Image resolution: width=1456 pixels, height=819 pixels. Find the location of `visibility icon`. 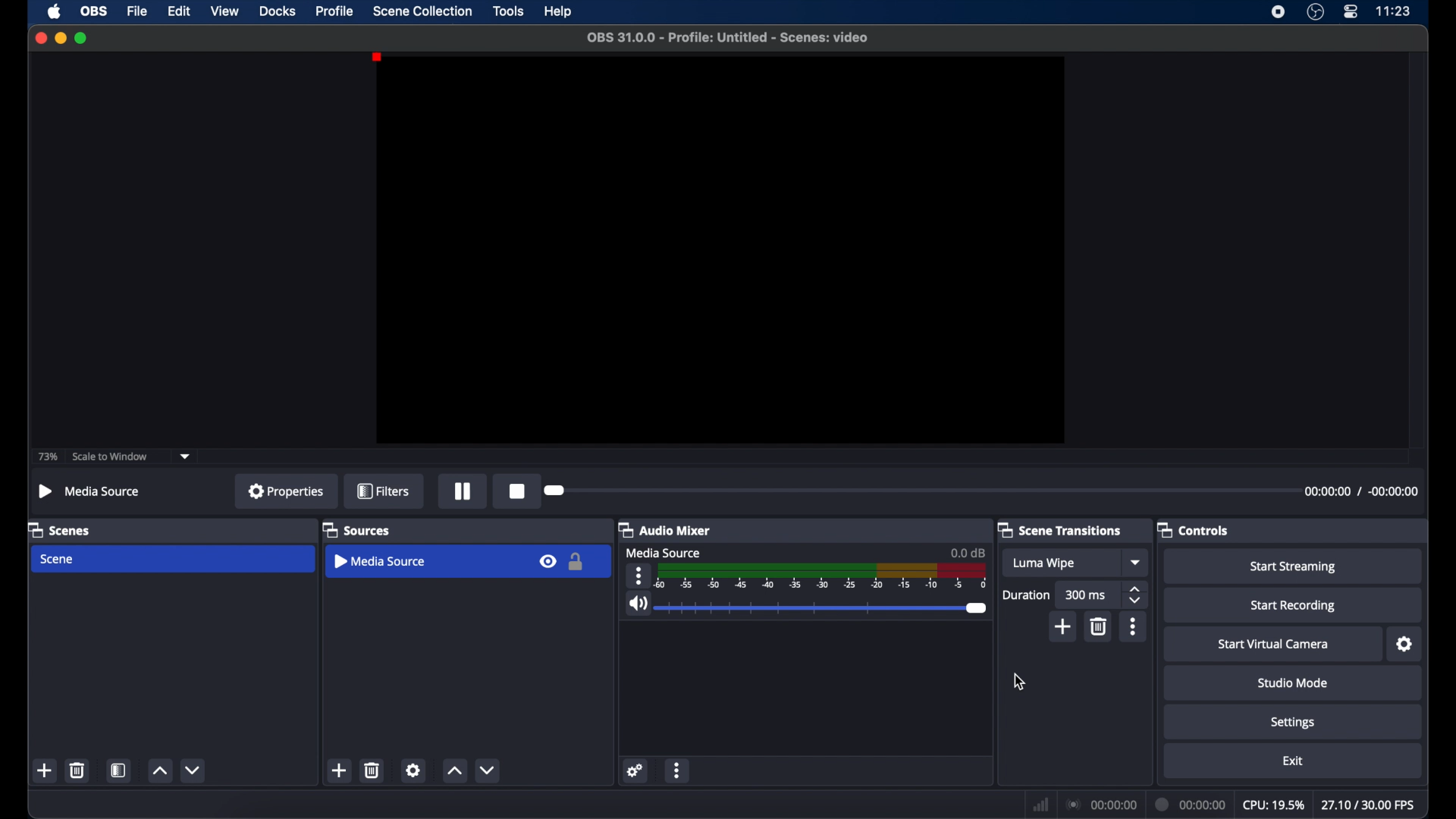

visibility icon is located at coordinates (546, 562).